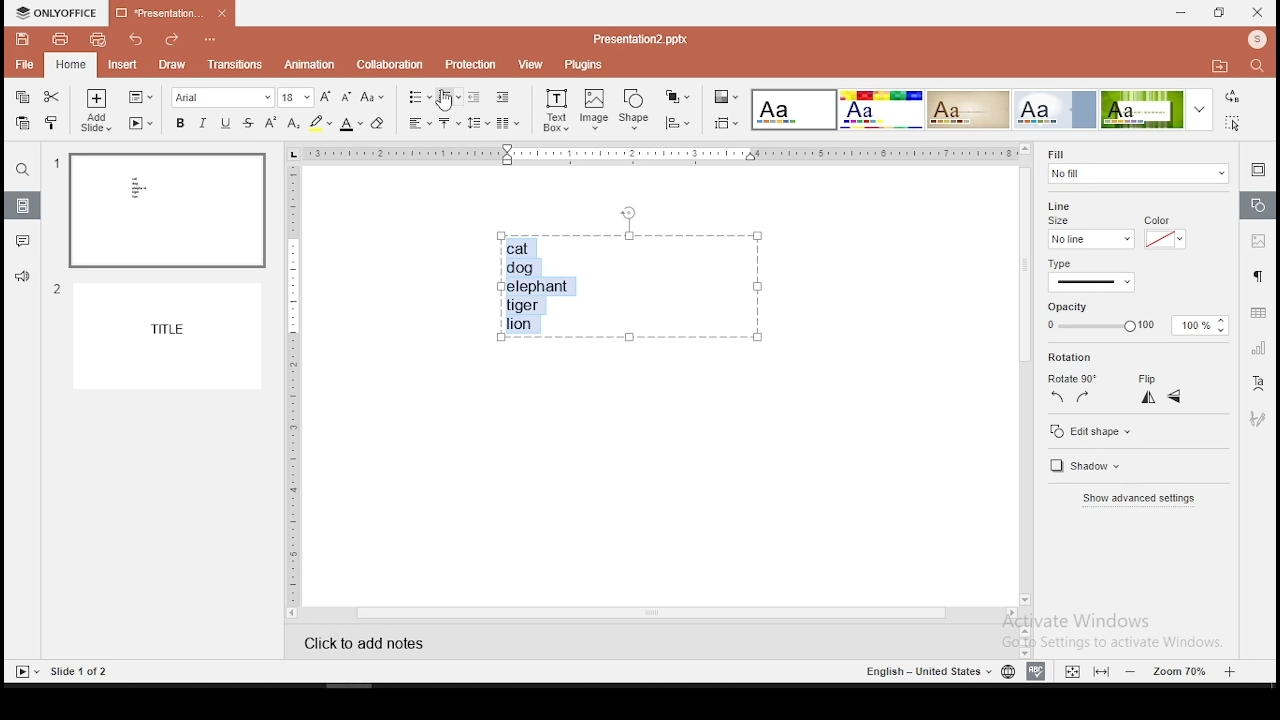 Image resolution: width=1280 pixels, height=720 pixels. I want to click on arrange objects, so click(678, 98).